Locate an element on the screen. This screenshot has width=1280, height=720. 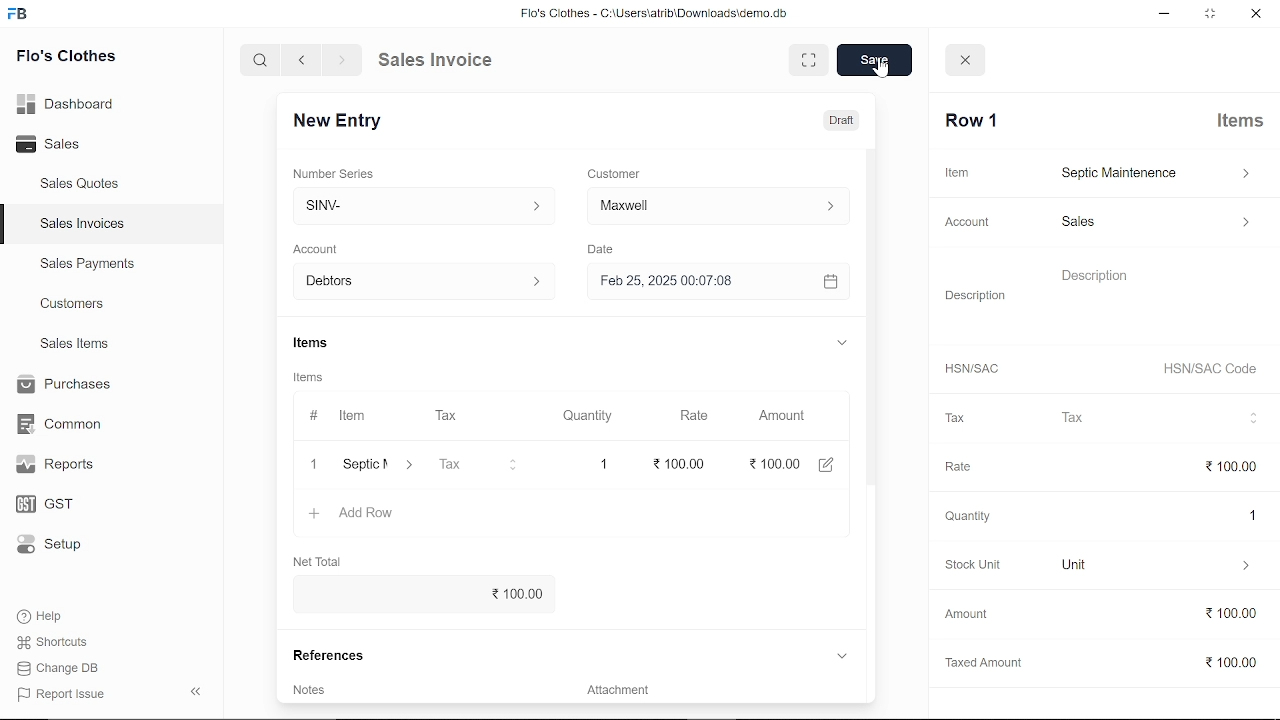
Item is located at coordinates (956, 172).